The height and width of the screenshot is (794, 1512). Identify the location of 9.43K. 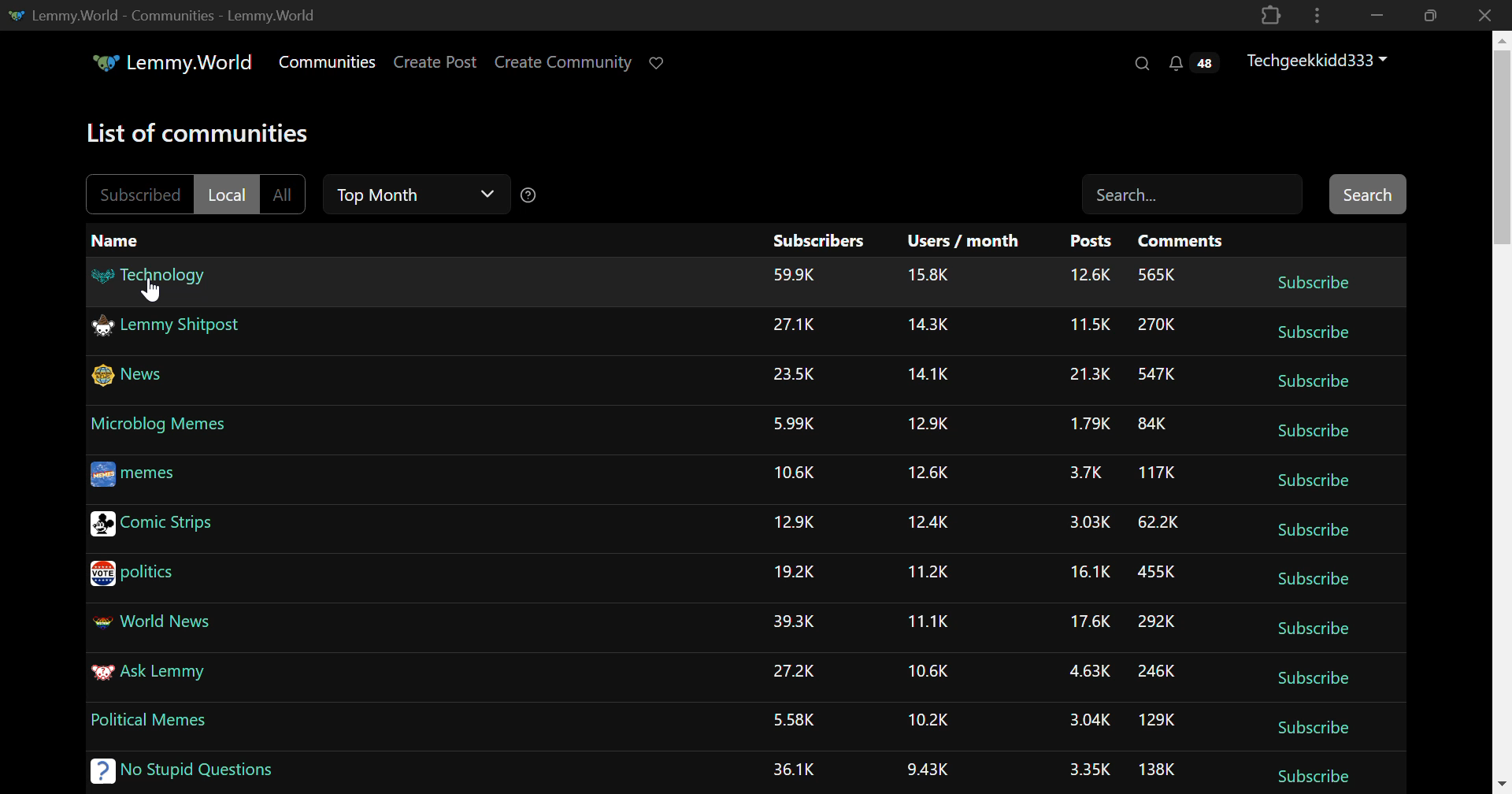
(926, 770).